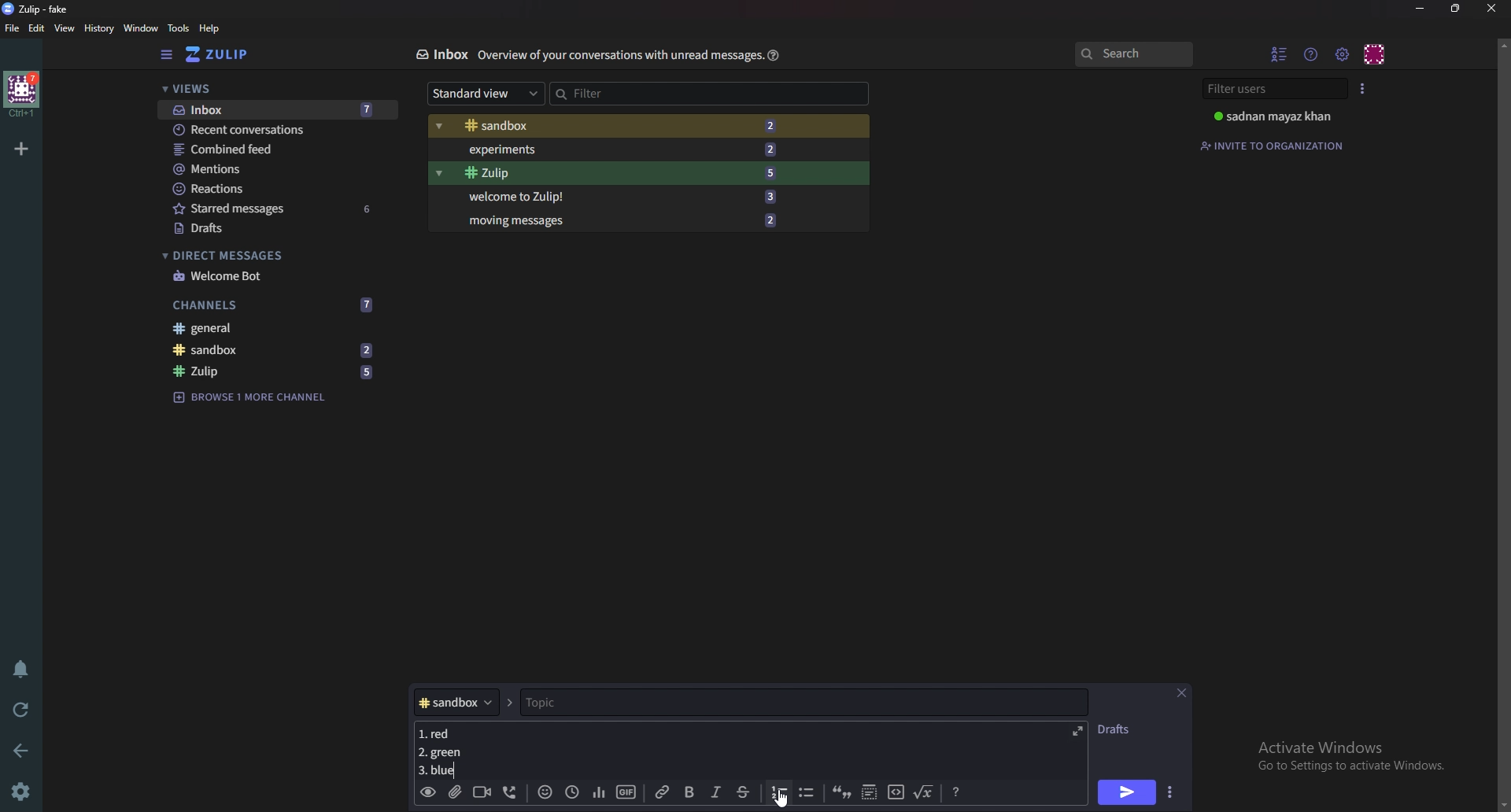 The image size is (1511, 812). Describe the element at coordinates (955, 792) in the screenshot. I see `Message formatting` at that location.